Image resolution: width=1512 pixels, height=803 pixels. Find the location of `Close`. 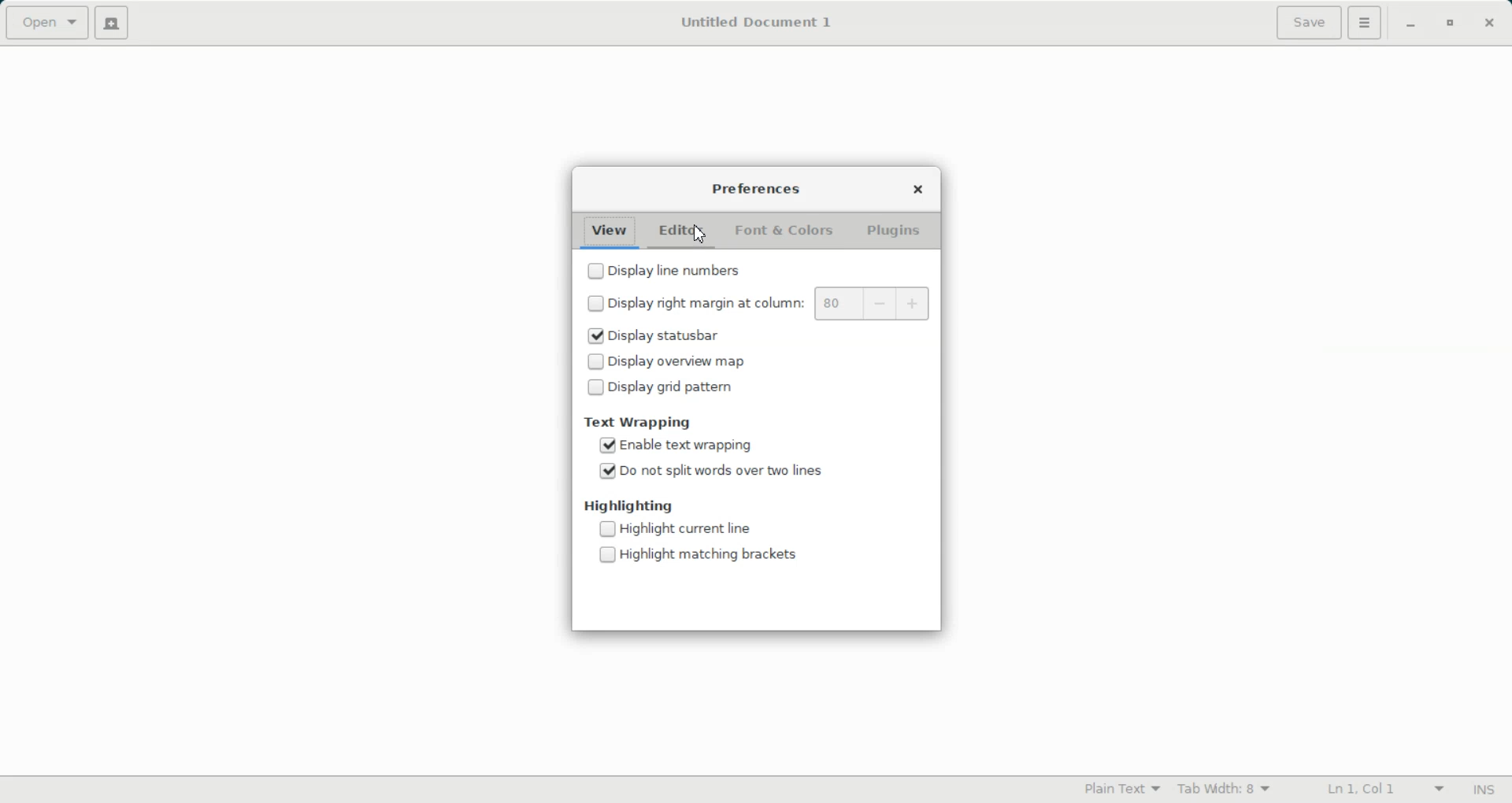

Close is located at coordinates (1489, 22).